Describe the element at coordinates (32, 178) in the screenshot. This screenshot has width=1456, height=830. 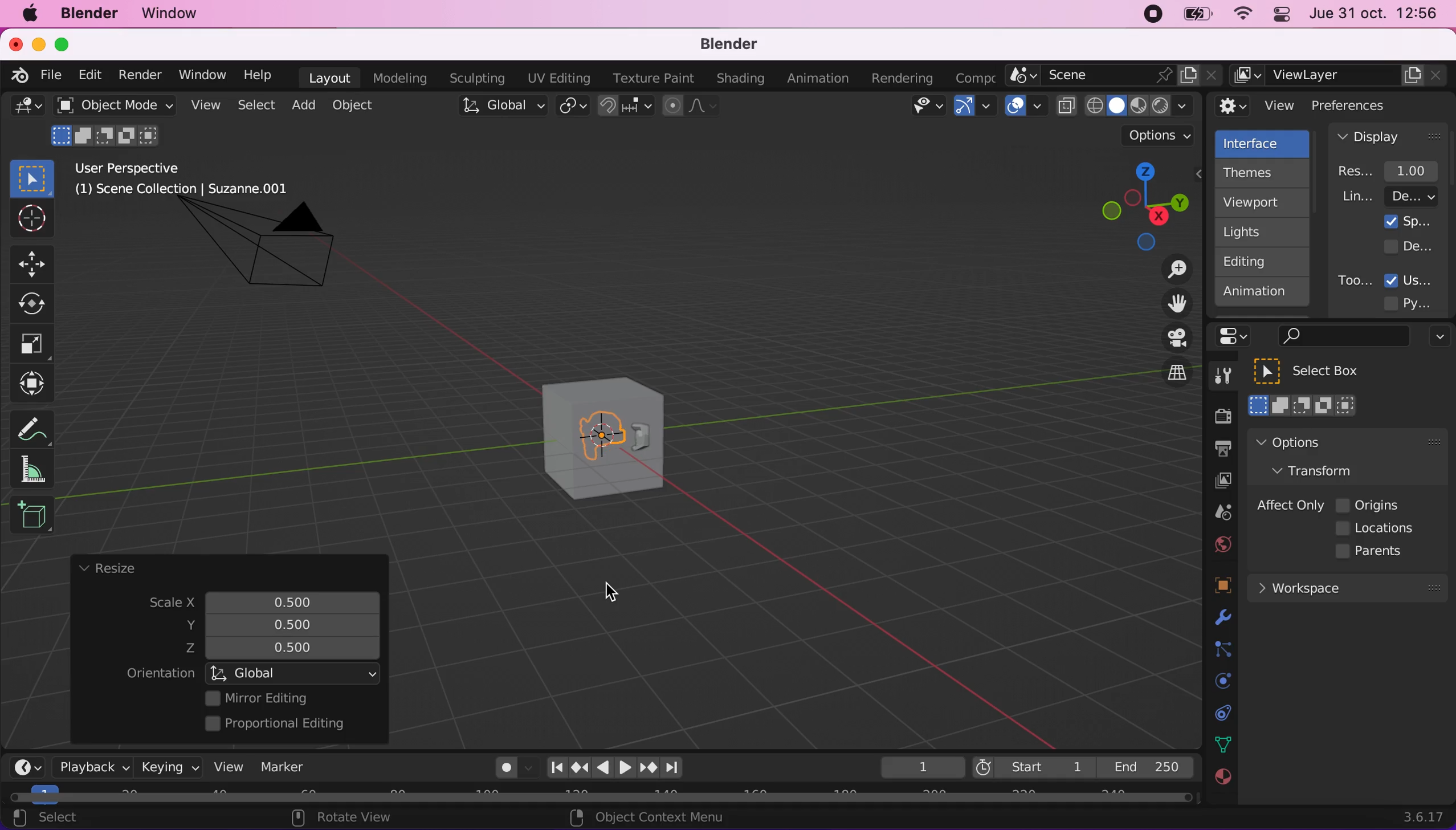
I see `select box` at that location.